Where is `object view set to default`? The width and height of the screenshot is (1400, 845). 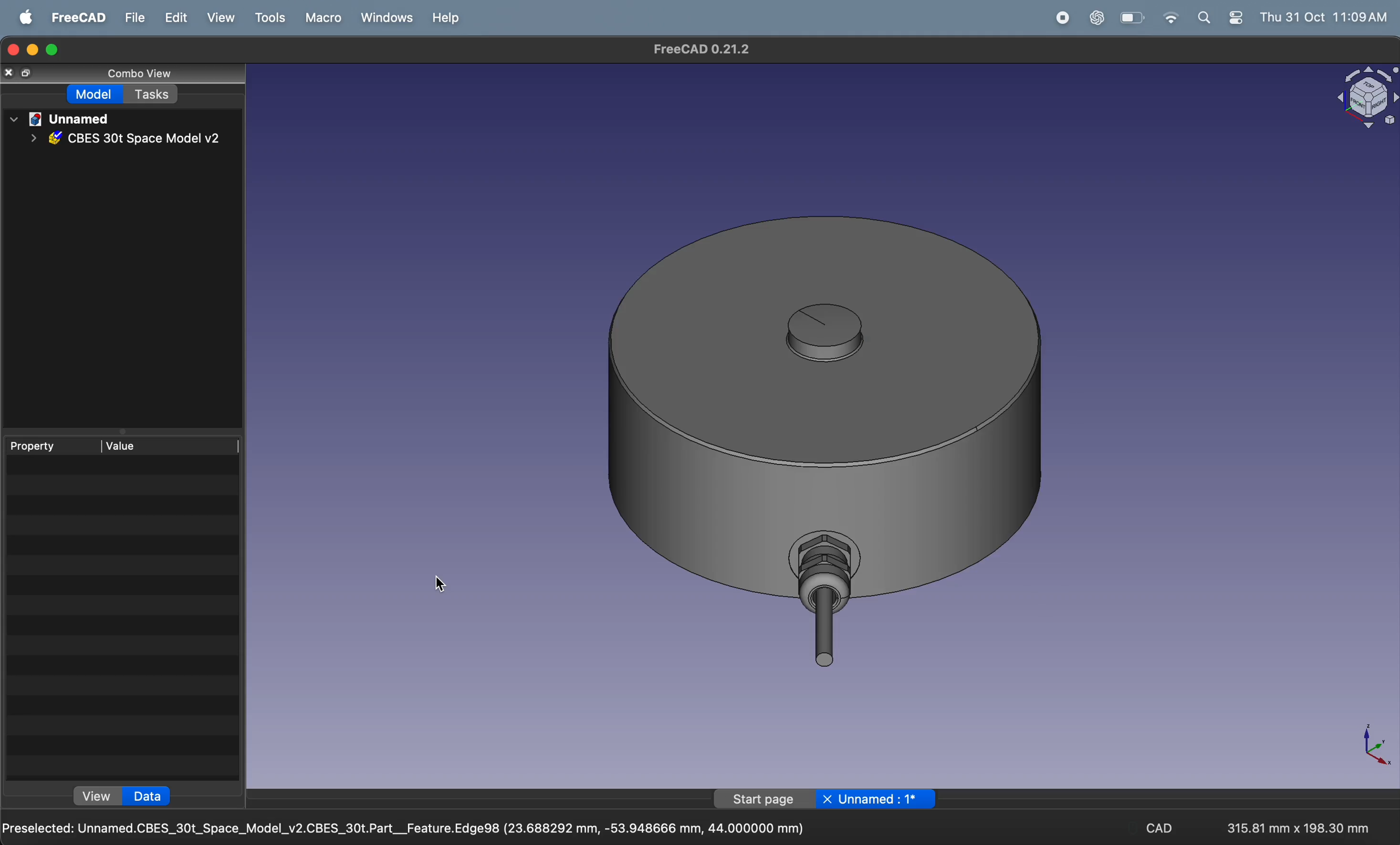 object view set to default is located at coordinates (832, 441).